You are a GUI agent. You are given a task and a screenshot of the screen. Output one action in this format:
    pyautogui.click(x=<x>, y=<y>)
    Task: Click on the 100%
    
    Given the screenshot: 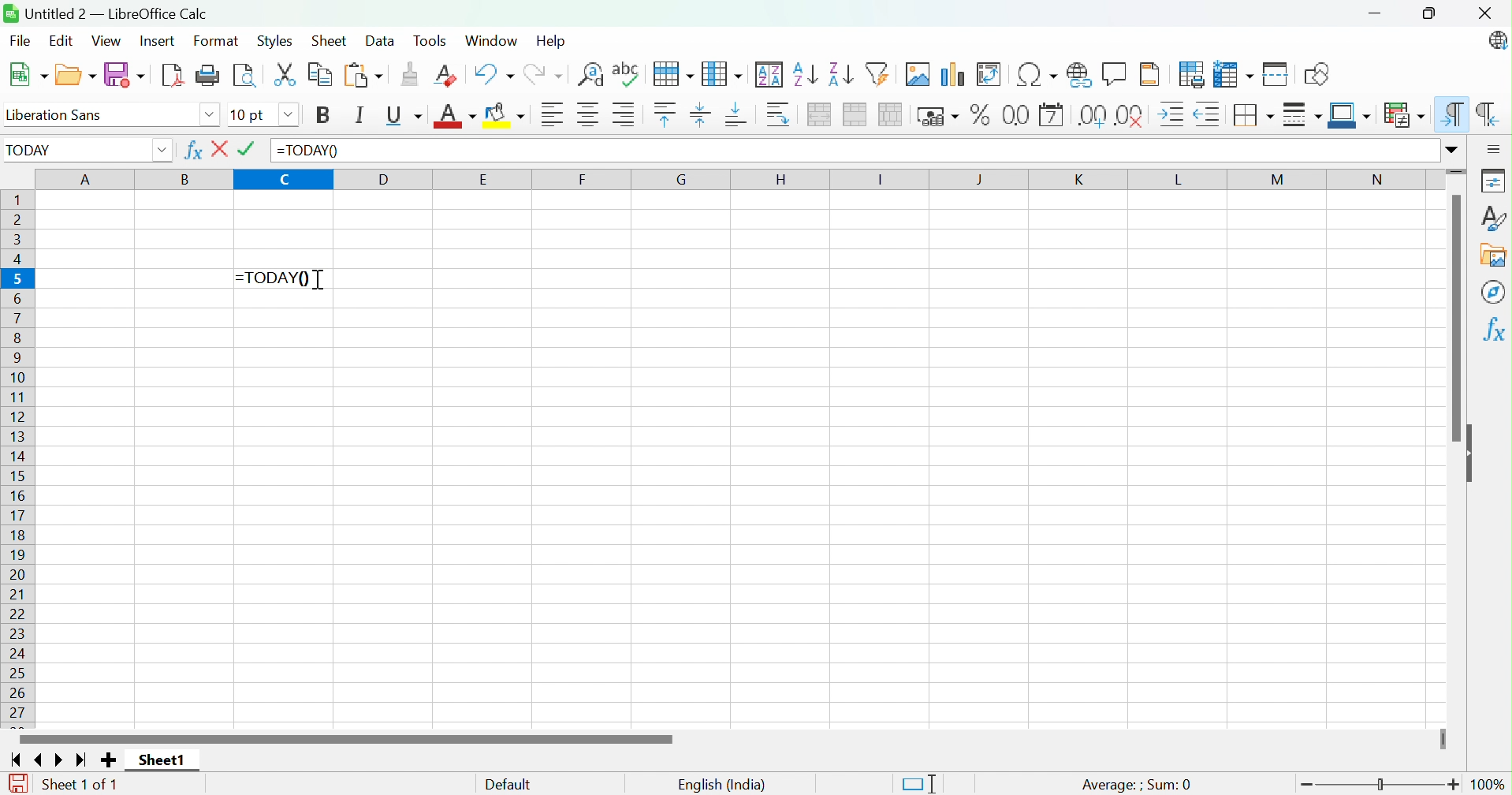 What is the action you would take?
    pyautogui.click(x=1492, y=786)
    